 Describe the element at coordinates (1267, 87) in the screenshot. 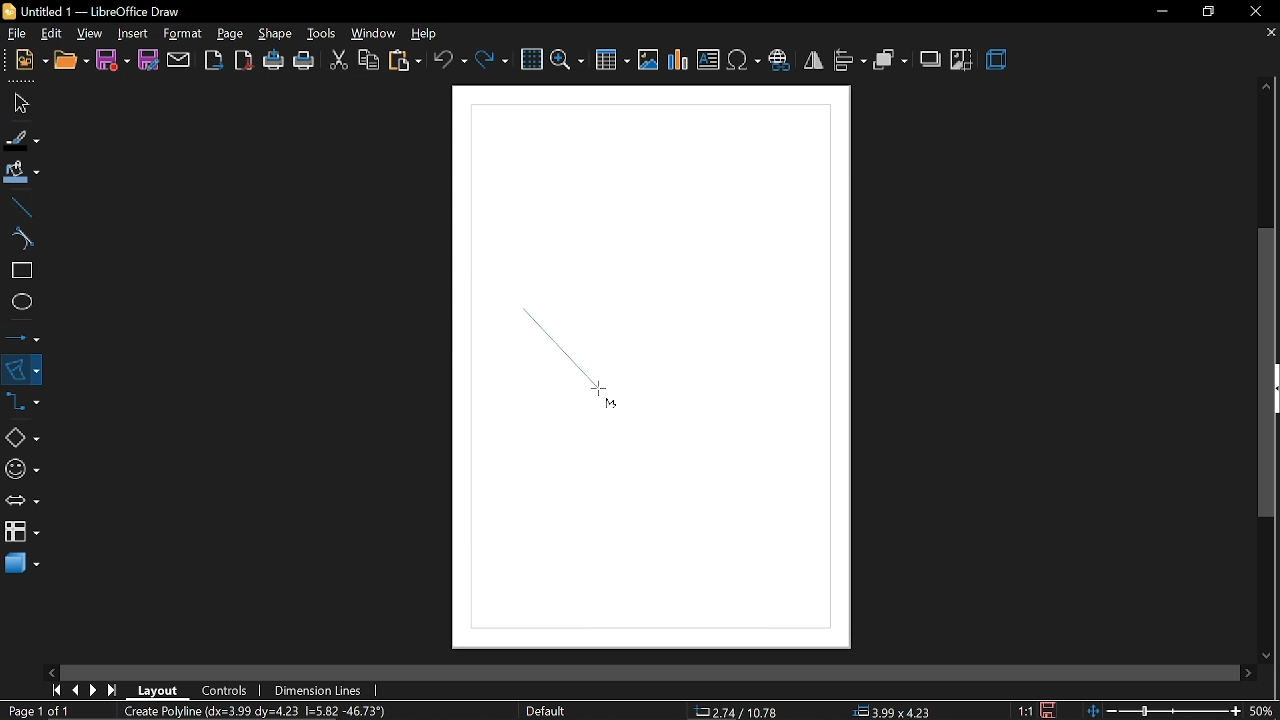

I see `move up` at that location.